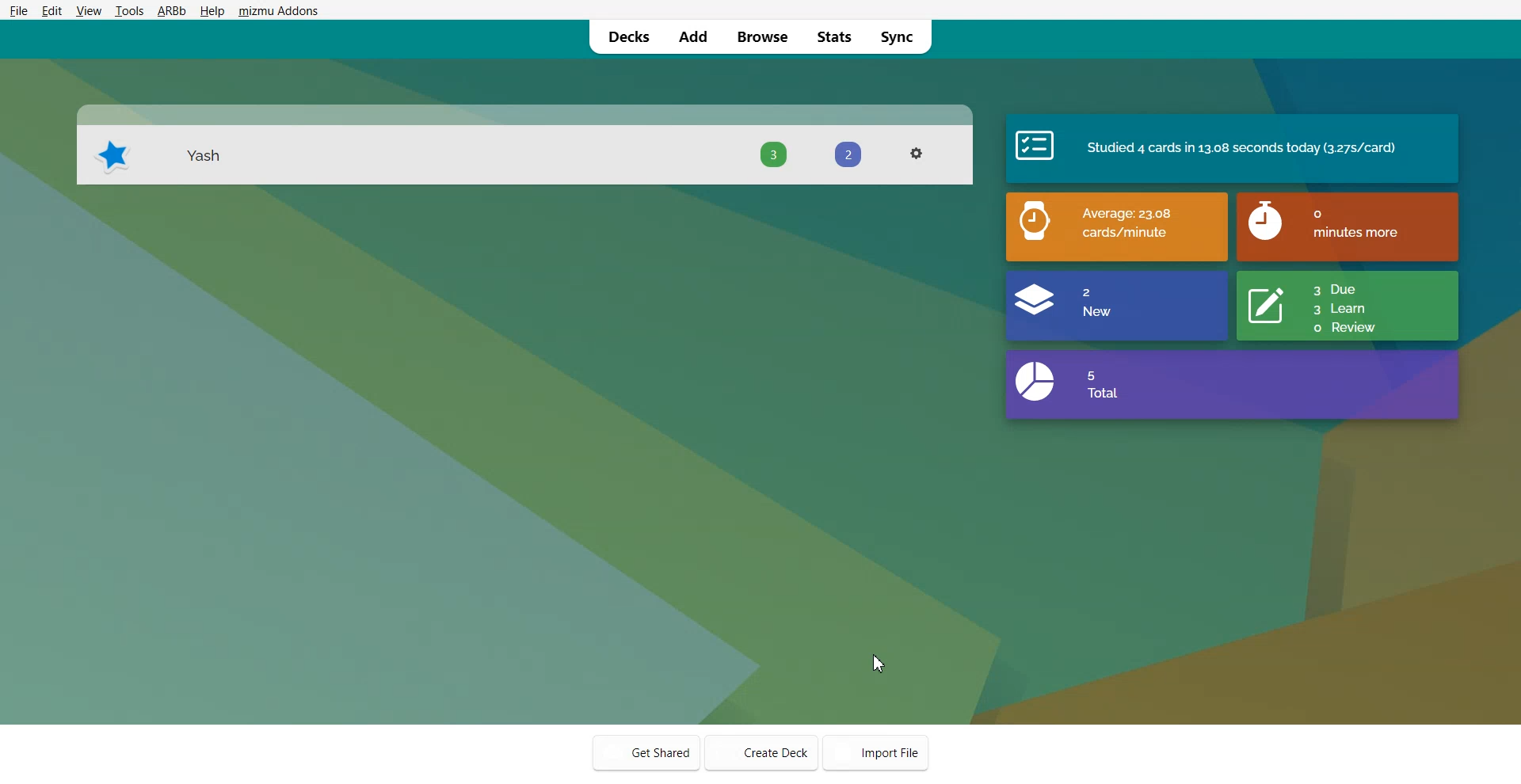 Image resolution: width=1521 pixels, height=784 pixels. Describe the element at coordinates (623, 35) in the screenshot. I see `Decks` at that location.